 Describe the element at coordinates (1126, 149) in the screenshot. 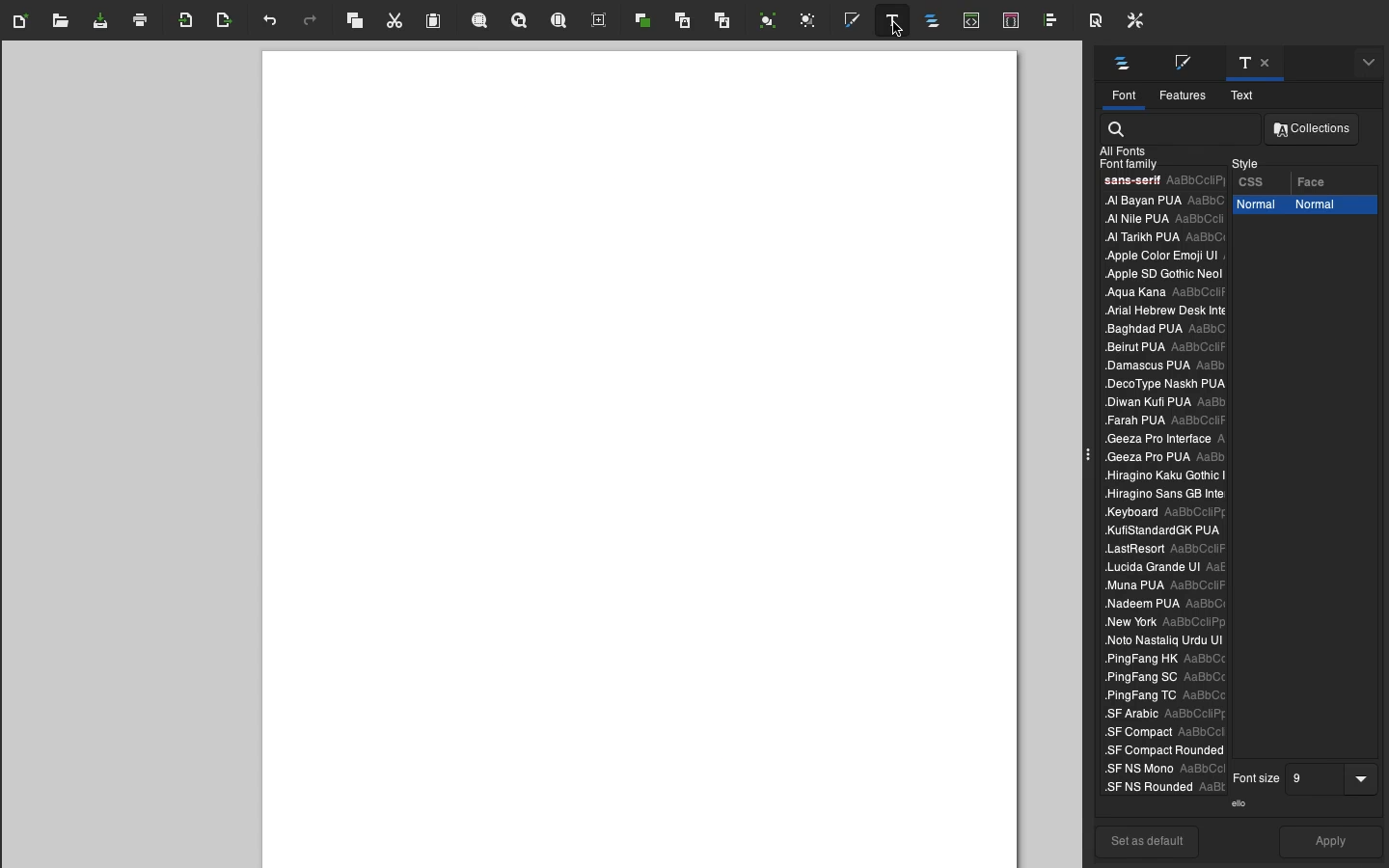

I see `All fonts` at that location.